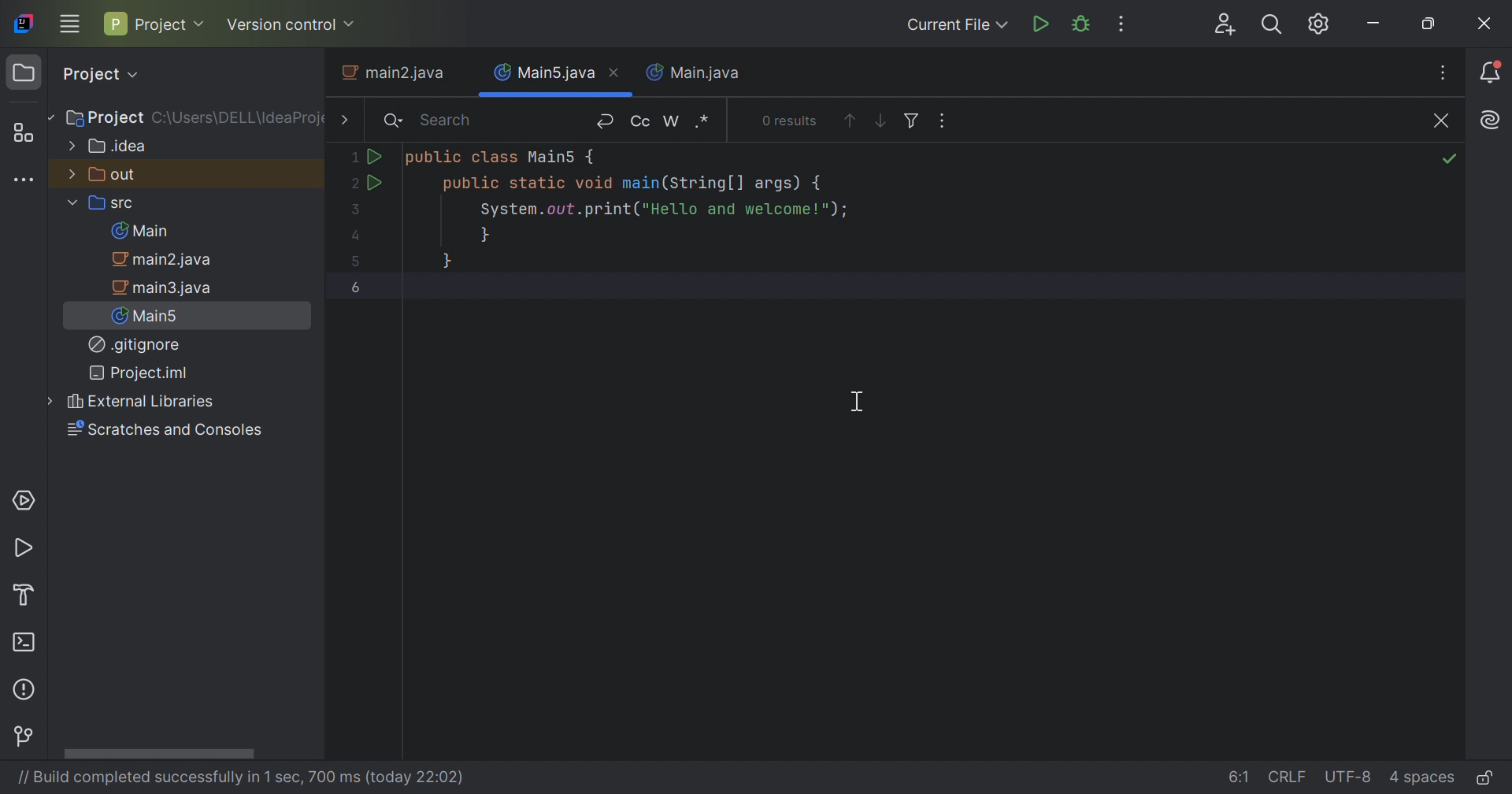  What do you see at coordinates (165, 288) in the screenshot?
I see `main3.java` at bounding box center [165, 288].